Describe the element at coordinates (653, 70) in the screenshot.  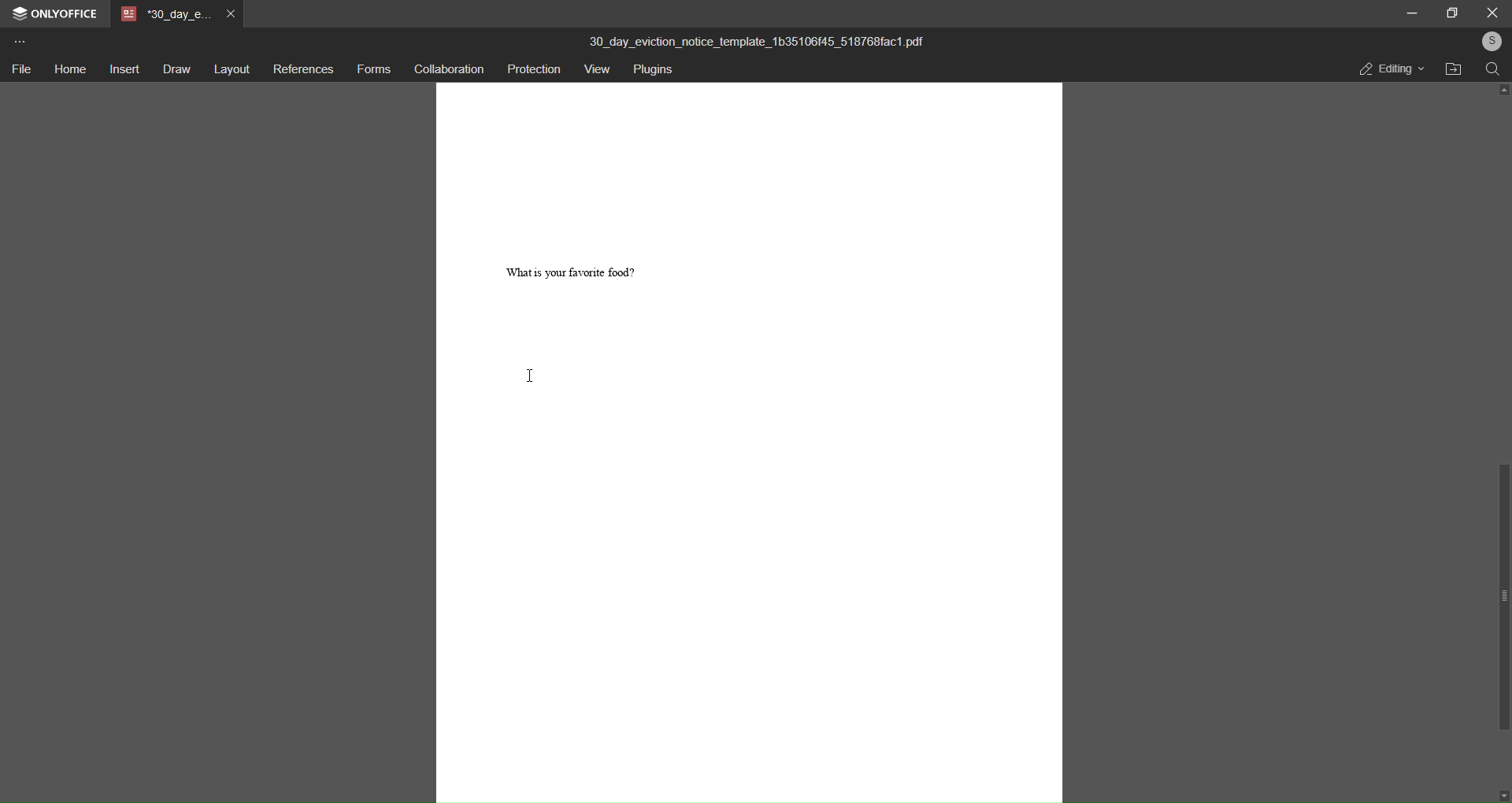
I see `plugins` at that location.